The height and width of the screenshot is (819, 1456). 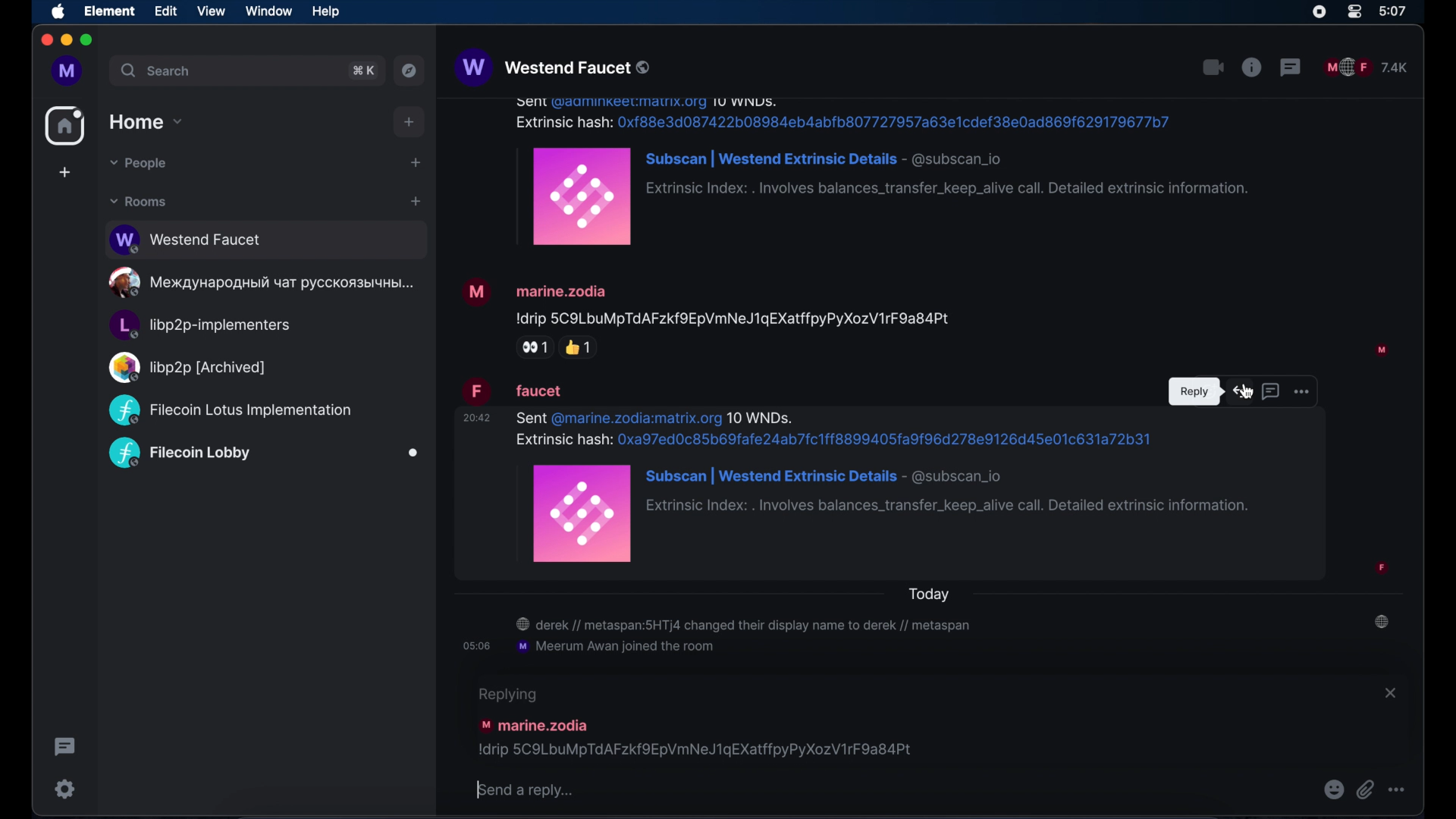 I want to click on view, so click(x=210, y=11).